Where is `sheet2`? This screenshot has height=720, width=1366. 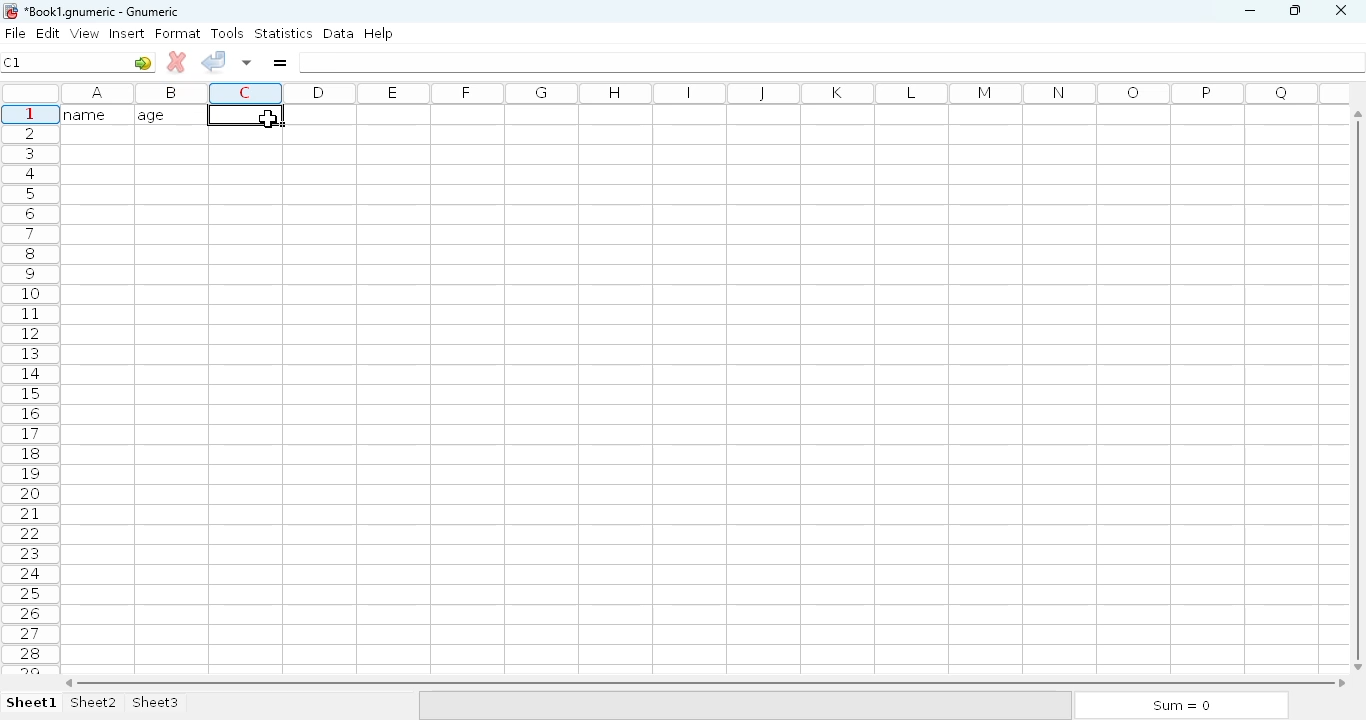 sheet2 is located at coordinates (95, 703).